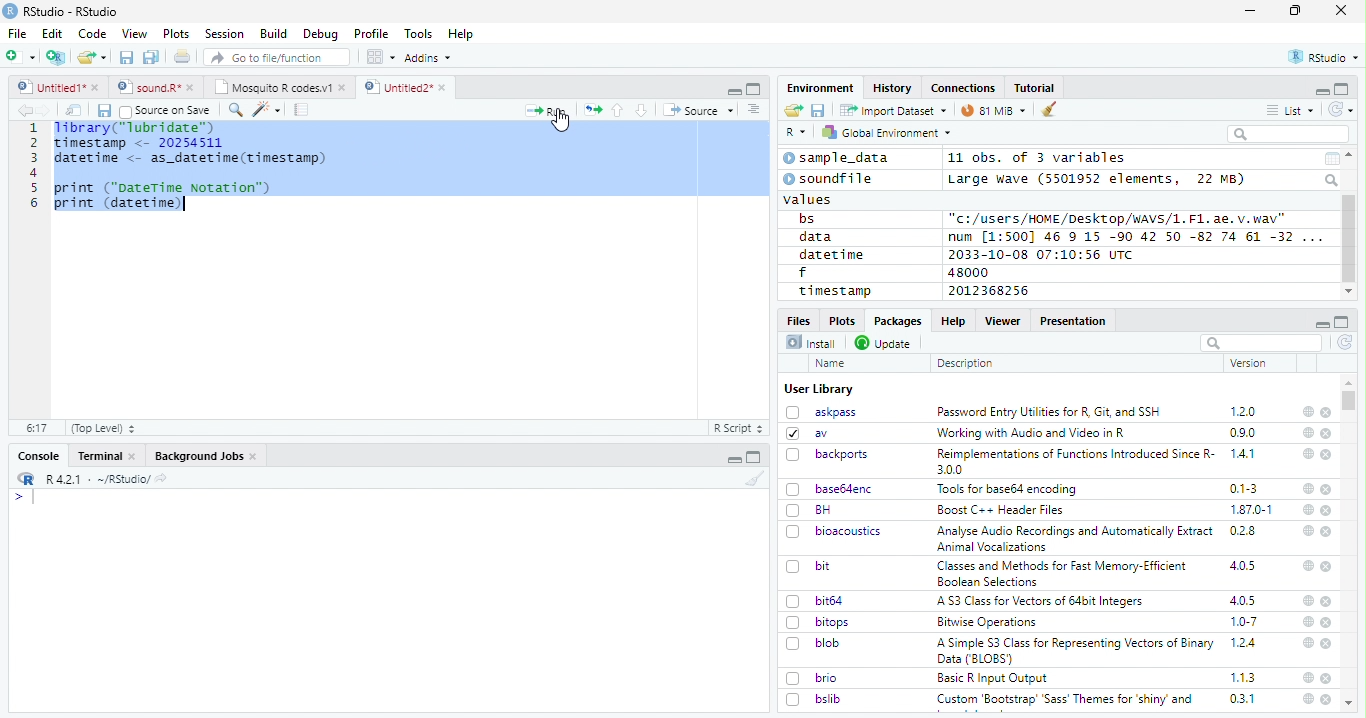 This screenshot has height=718, width=1366. Describe the element at coordinates (966, 272) in the screenshot. I see `48000` at that location.